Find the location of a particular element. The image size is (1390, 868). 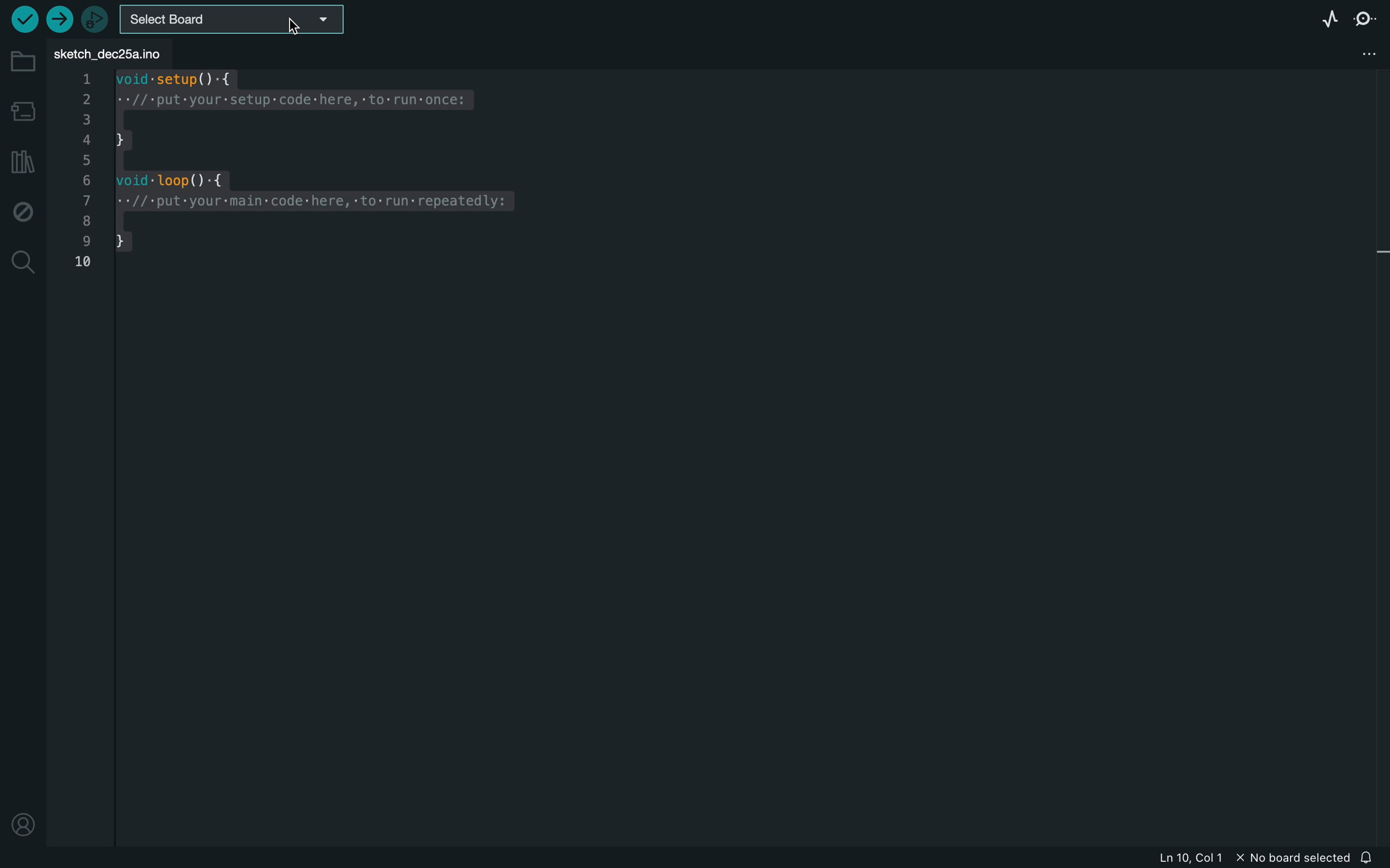

profile is located at coordinates (22, 827).